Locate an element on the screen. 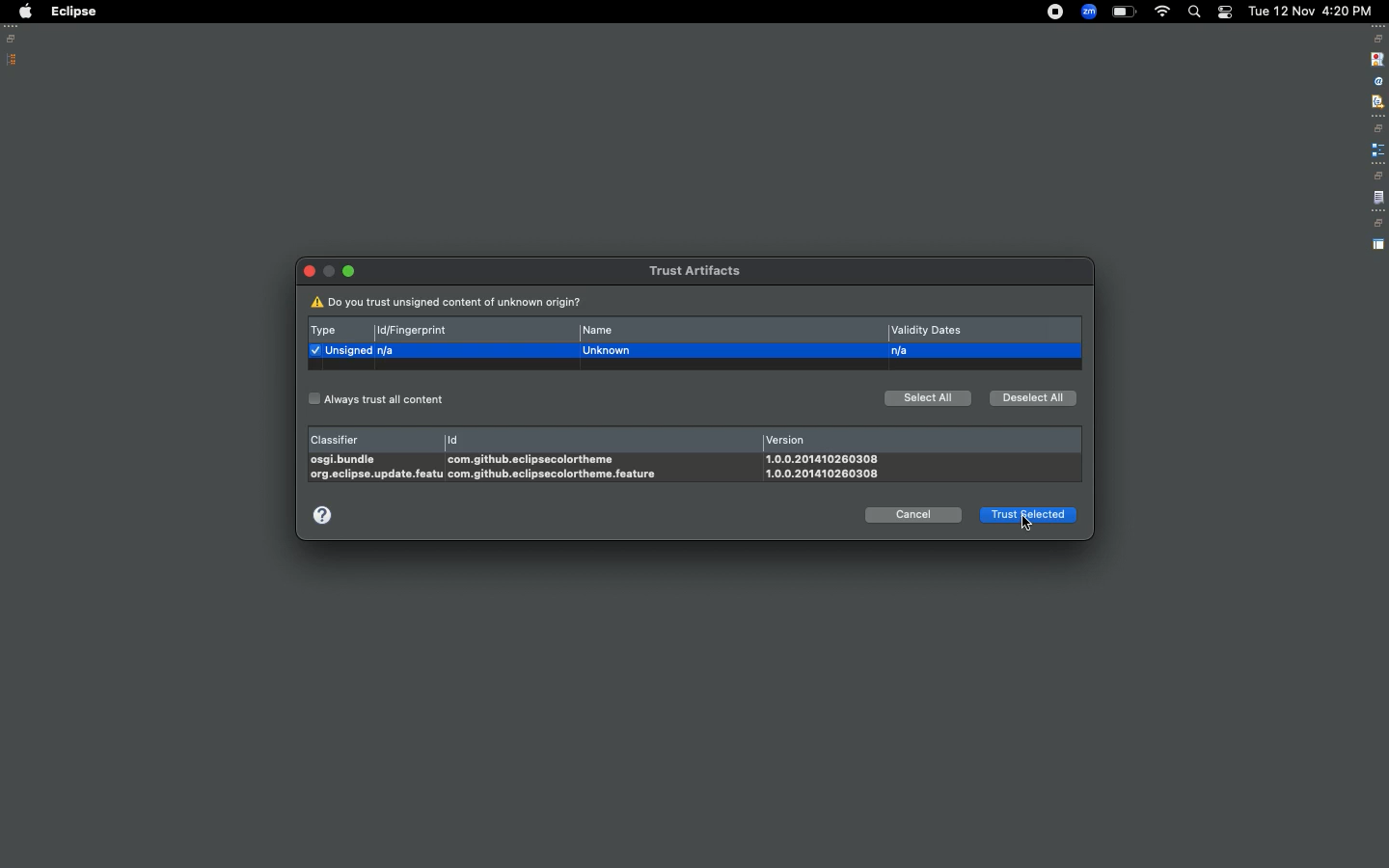  Minimize is located at coordinates (351, 272).